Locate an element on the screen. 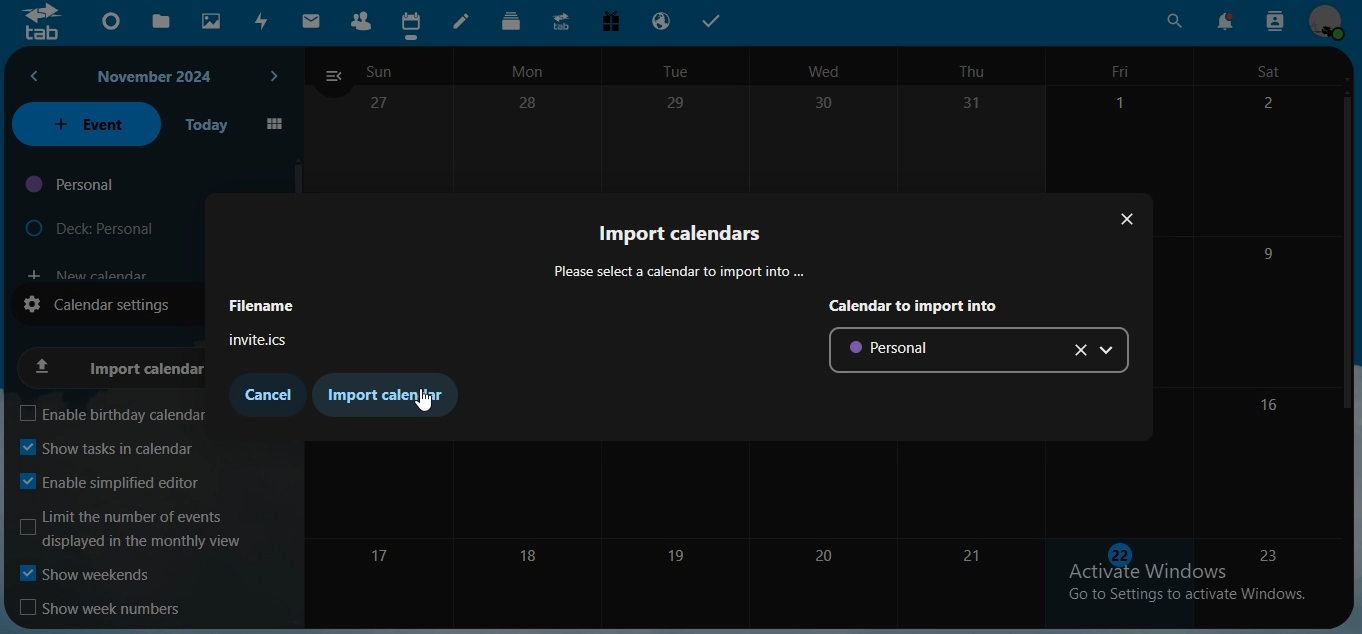 The height and width of the screenshot is (634, 1362). show week numbers is located at coordinates (103, 609).